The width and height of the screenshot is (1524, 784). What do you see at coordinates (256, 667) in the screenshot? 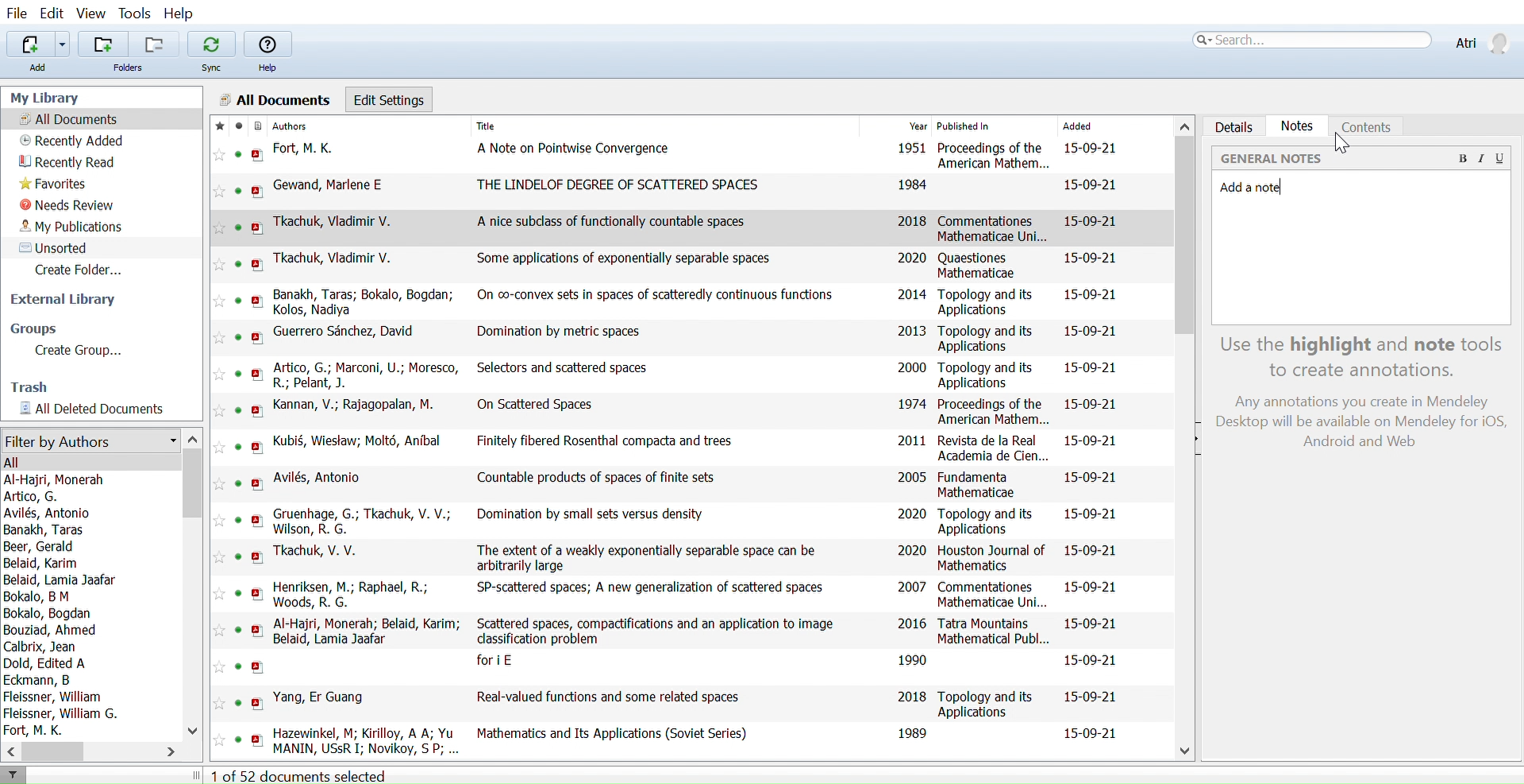
I see `open PDF` at bounding box center [256, 667].